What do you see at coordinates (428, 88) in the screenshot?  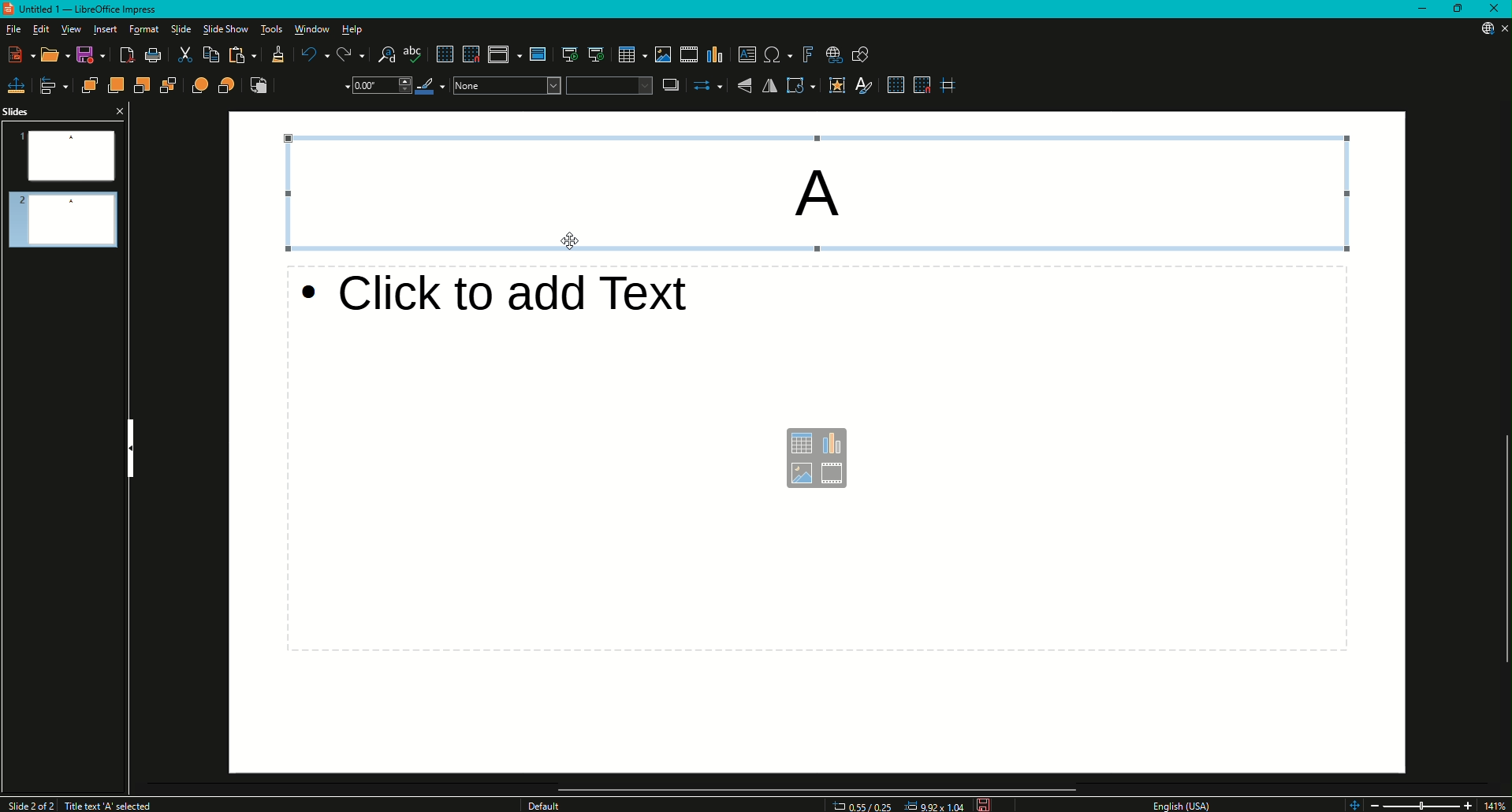 I see `Line Color` at bounding box center [428, 88].